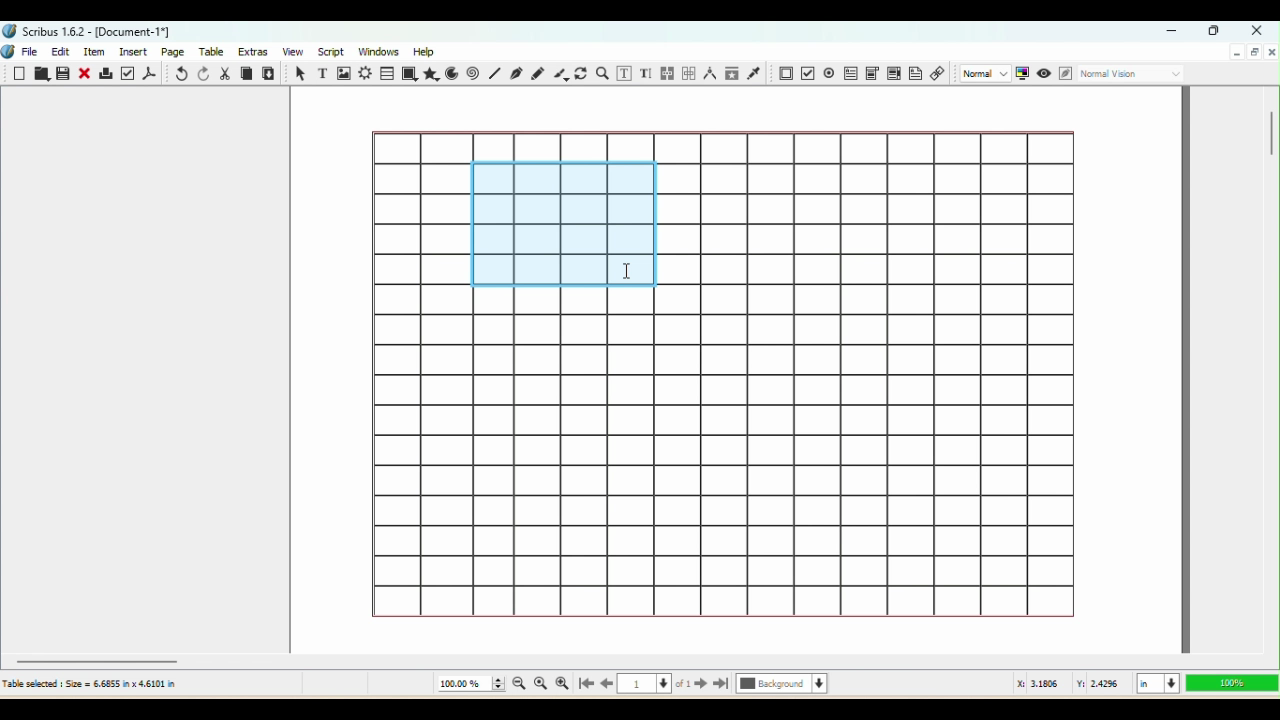  Describe the element at coordinates (584, 685) in the screenshot. I see `Go to the first page` at that location.